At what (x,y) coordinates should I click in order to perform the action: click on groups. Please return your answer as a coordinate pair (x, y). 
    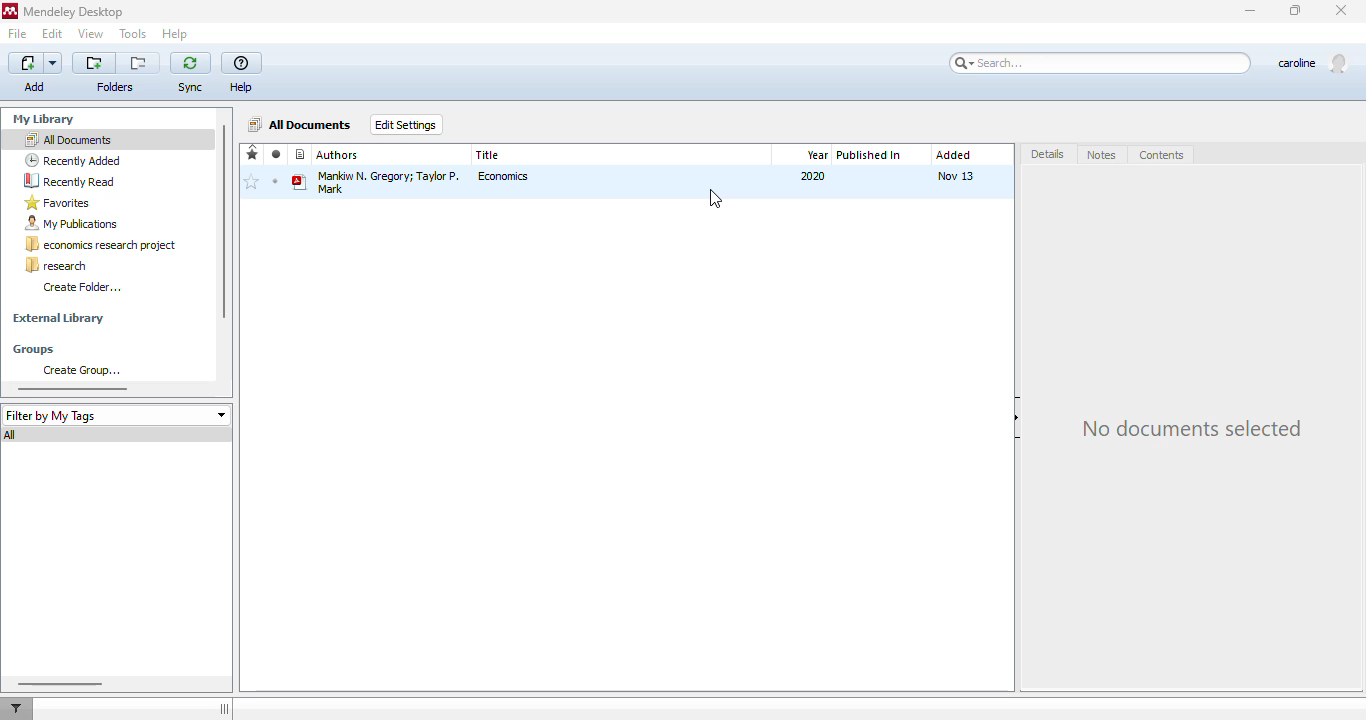
    Looking at the image, I should click on (35, 350).